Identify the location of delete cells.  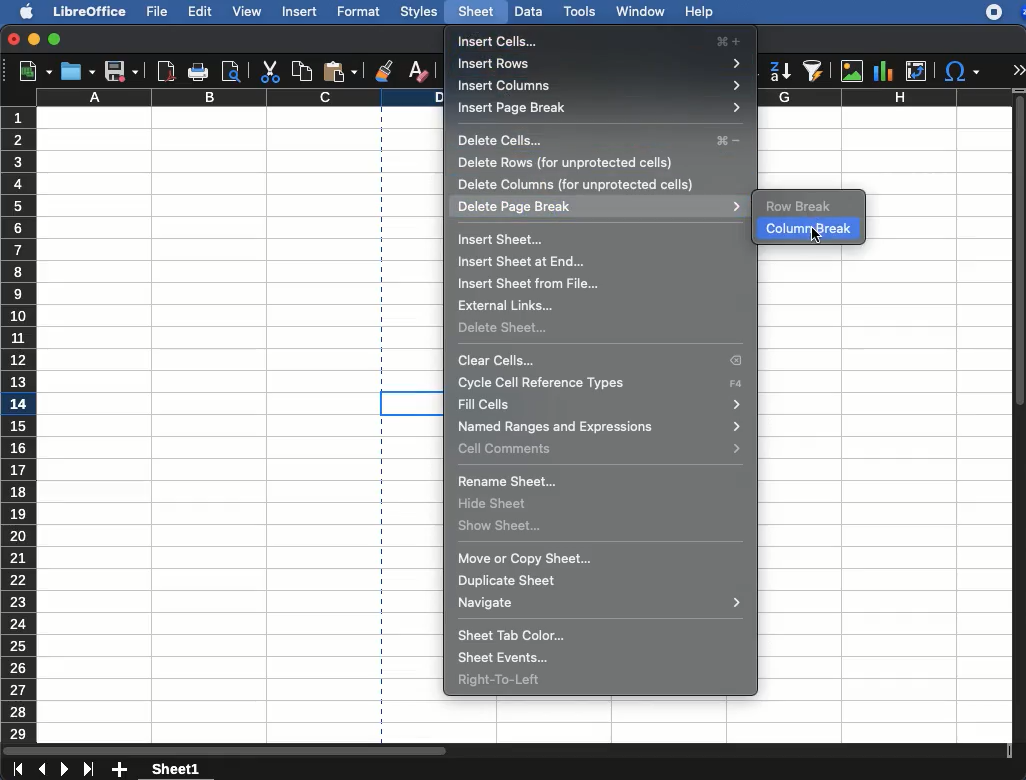
(603, 142).